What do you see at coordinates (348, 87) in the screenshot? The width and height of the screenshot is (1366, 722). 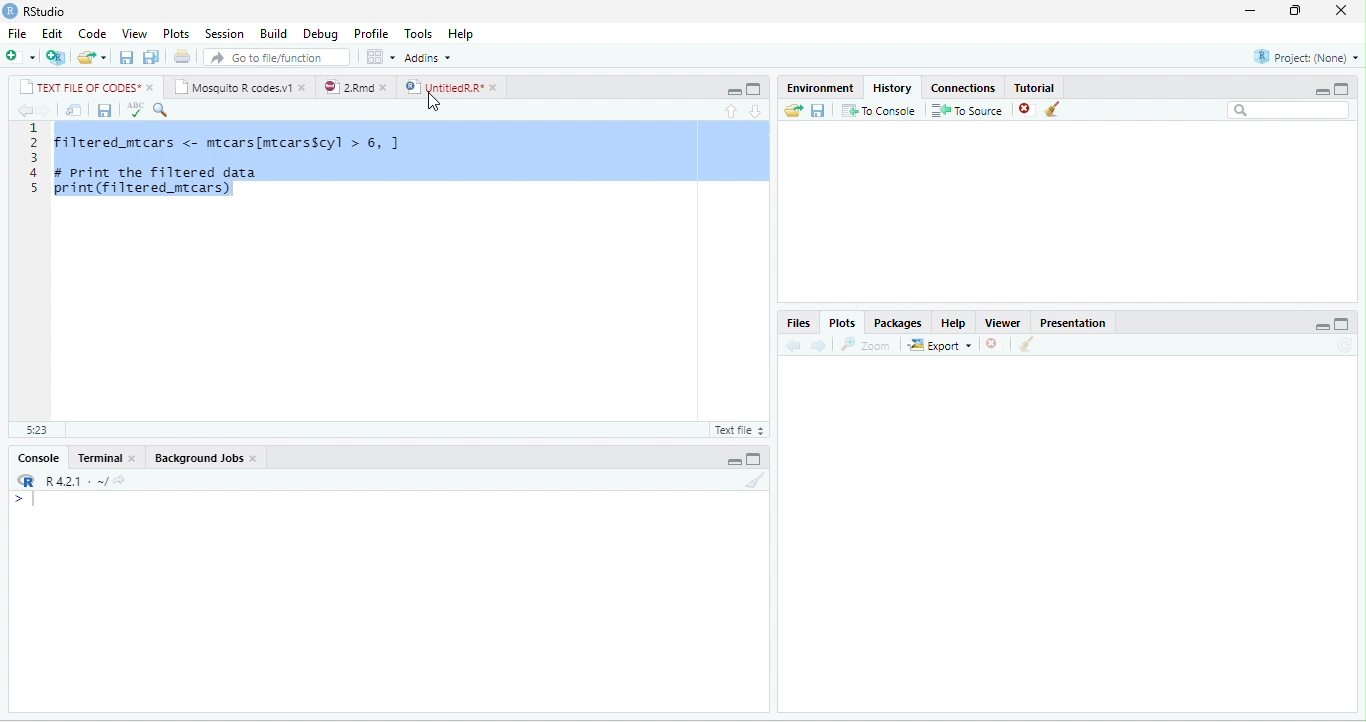 I see `2.Rmd` at bounding box center [348, 87].